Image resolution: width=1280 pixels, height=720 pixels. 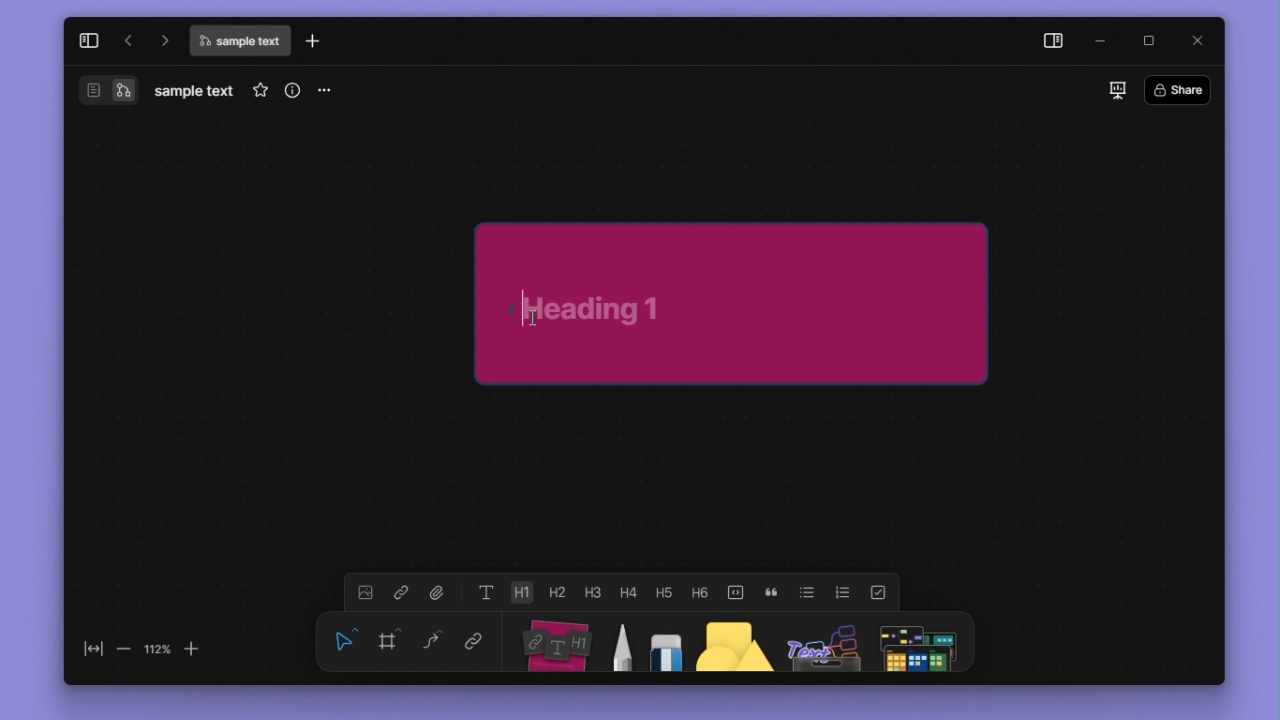 I want to click on close, so click(x=1197, y=41).